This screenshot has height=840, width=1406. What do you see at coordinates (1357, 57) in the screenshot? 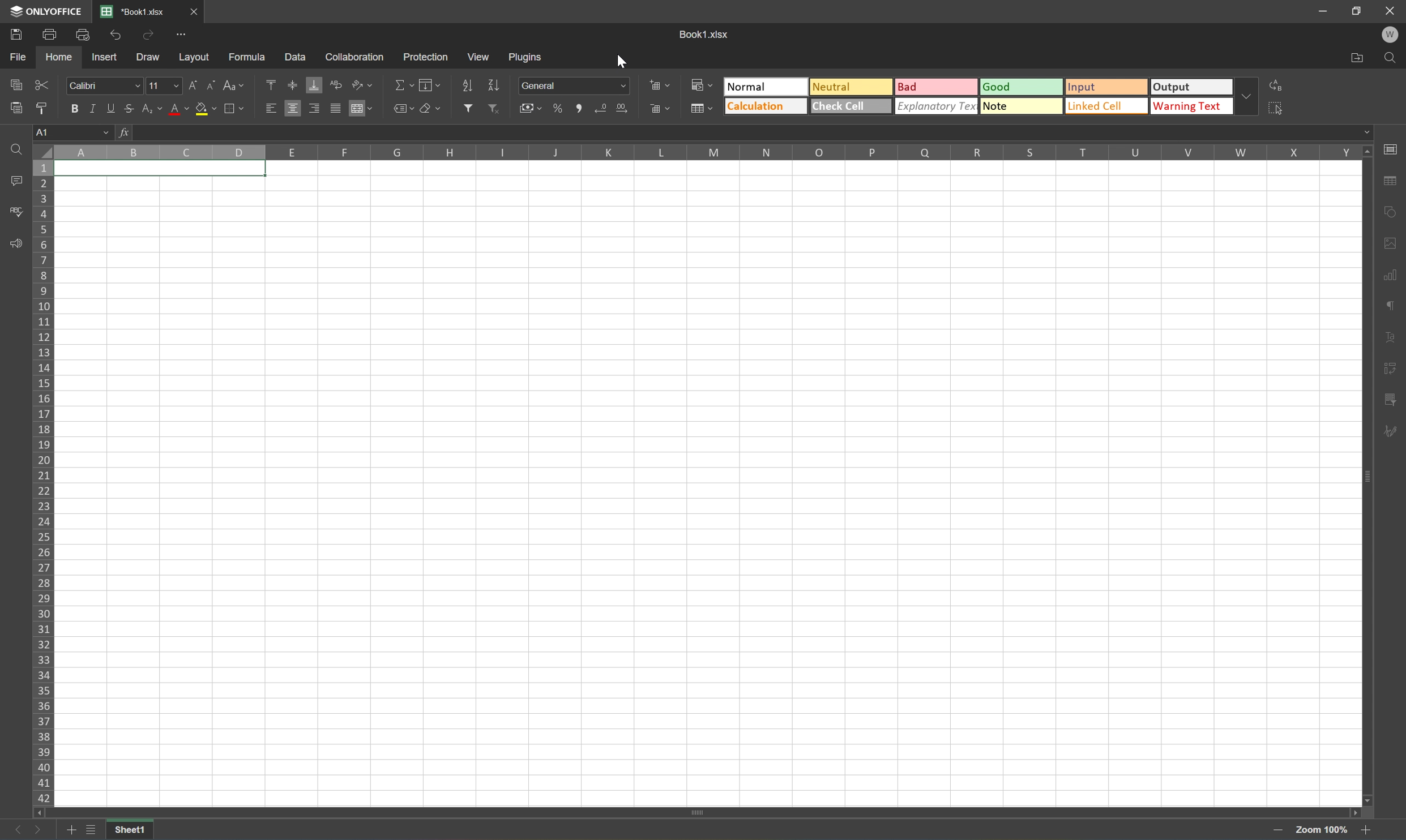
I see `Open file location` at bounding box center [1357, 57].